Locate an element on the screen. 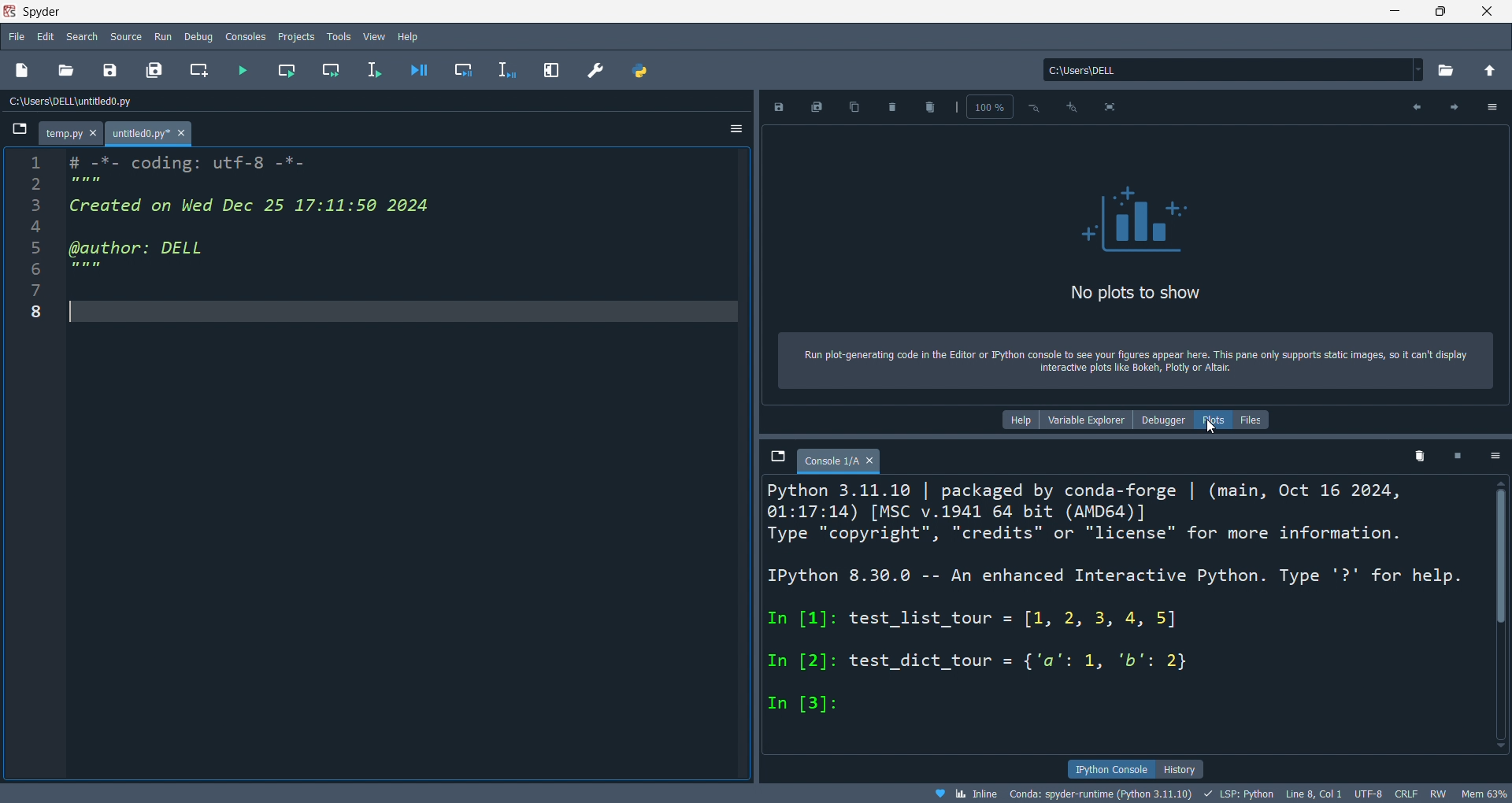 The height and width of the screenshot is (803, 1512). run line is located at coordinates (375, 72).